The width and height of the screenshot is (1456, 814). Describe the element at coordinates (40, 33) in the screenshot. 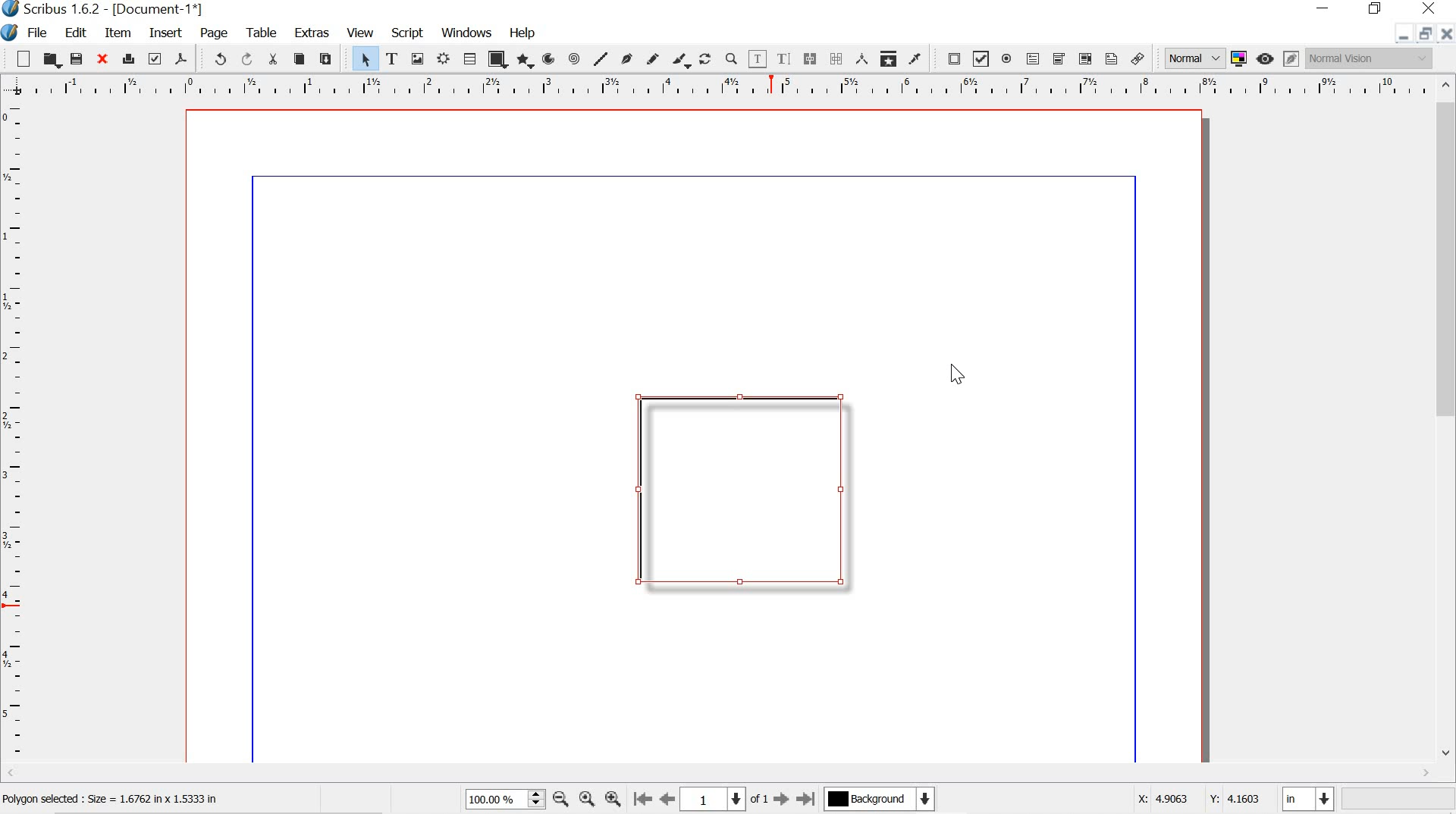

I see `FILE` at that location.